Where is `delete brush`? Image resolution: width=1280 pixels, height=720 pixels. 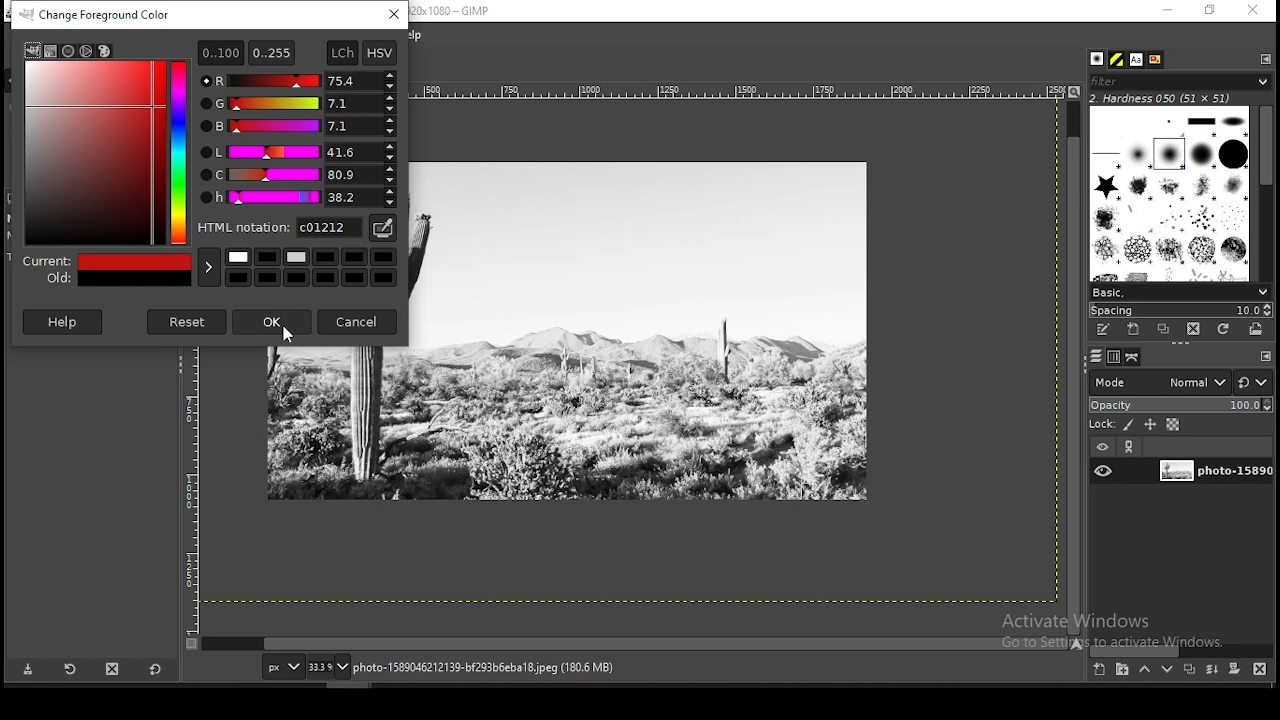 delete brush is located at coordinates (1193, 330).